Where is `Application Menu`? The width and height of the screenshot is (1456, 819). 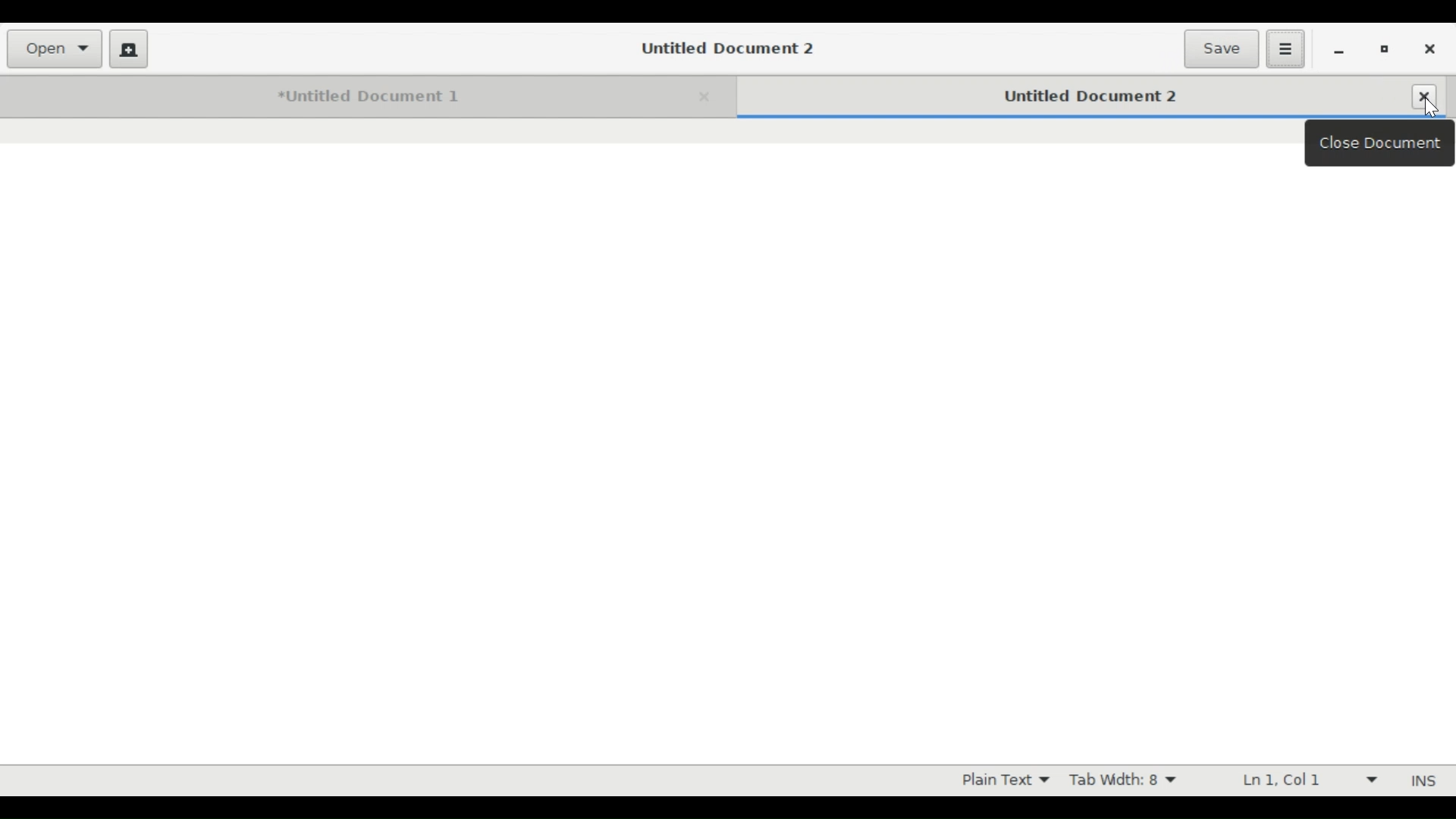
Application Menu is located at coordinates (1285, 50).